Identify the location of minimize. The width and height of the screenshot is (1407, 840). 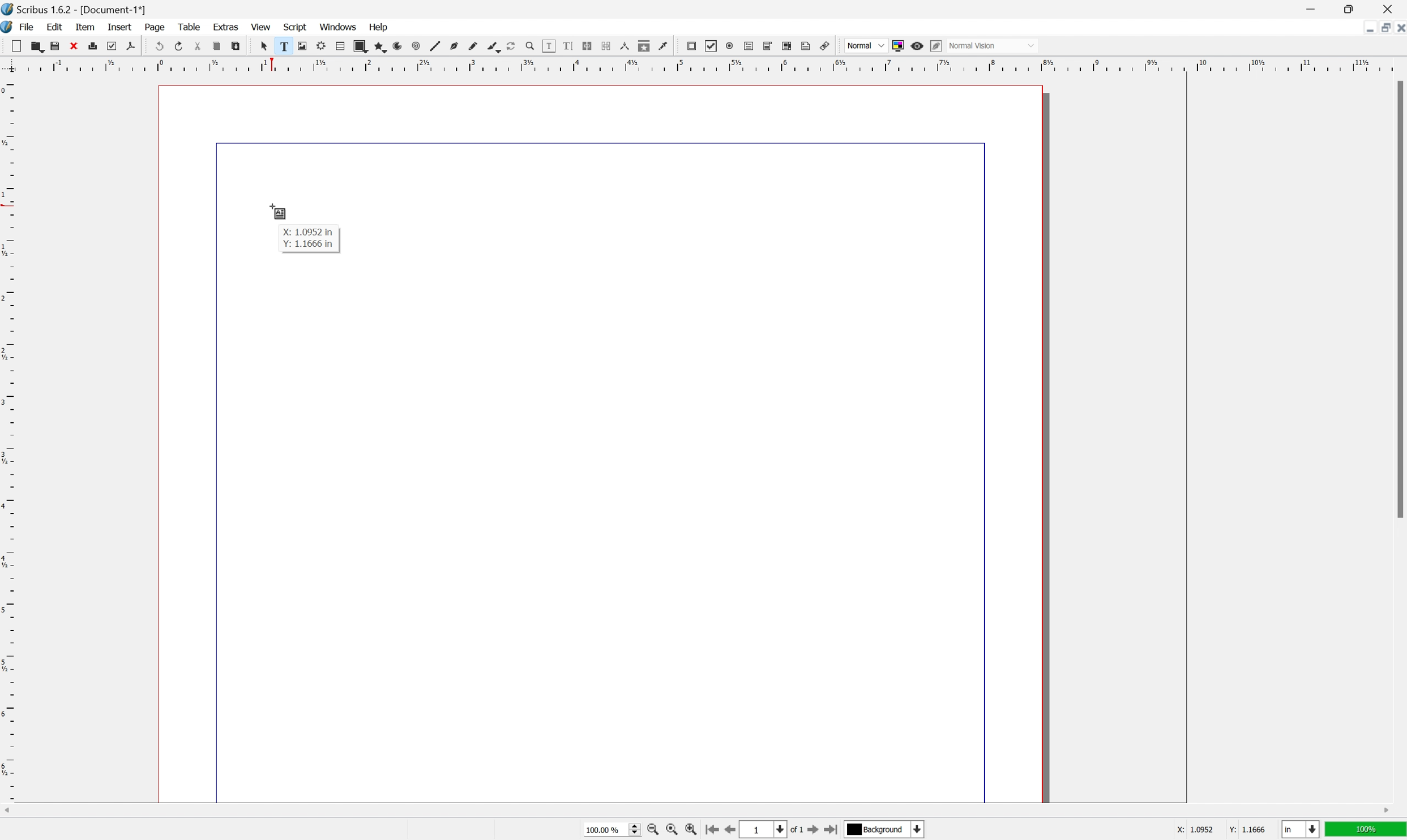
(1310, 8).